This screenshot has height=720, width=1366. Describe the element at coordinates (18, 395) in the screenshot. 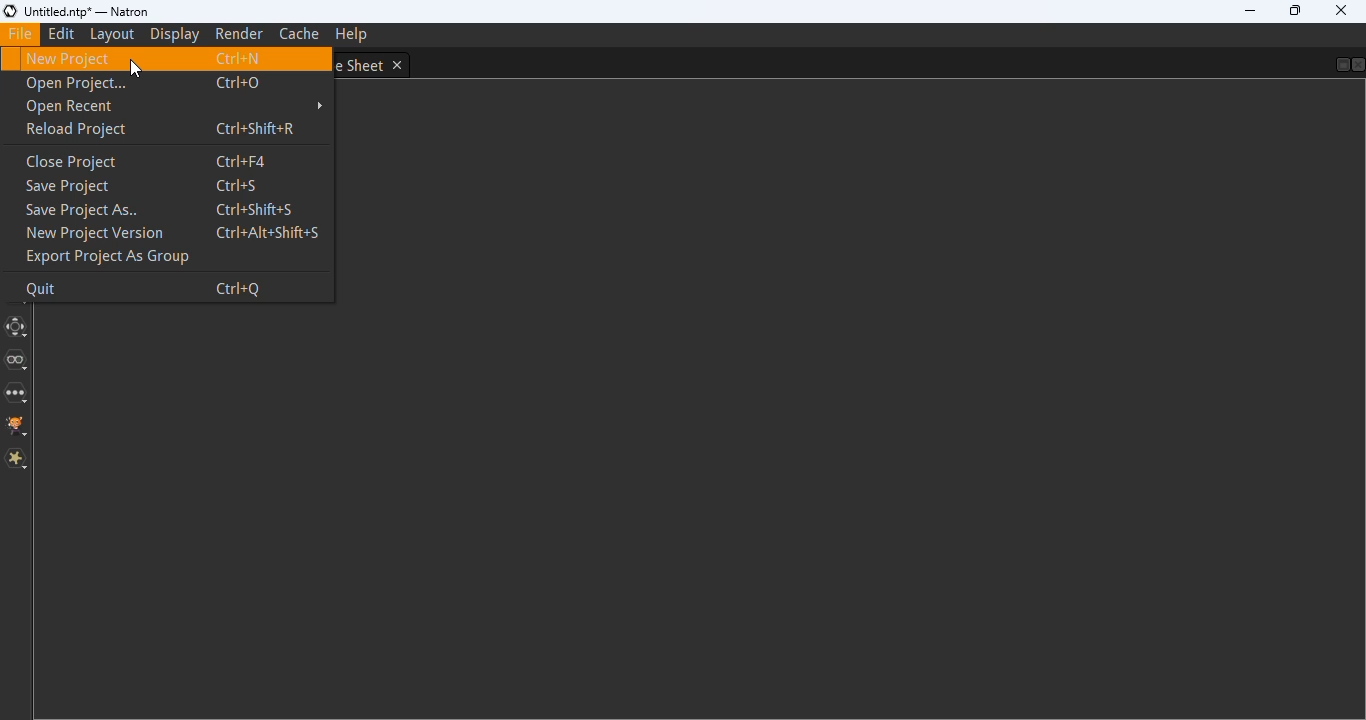

I see `other` at that location.